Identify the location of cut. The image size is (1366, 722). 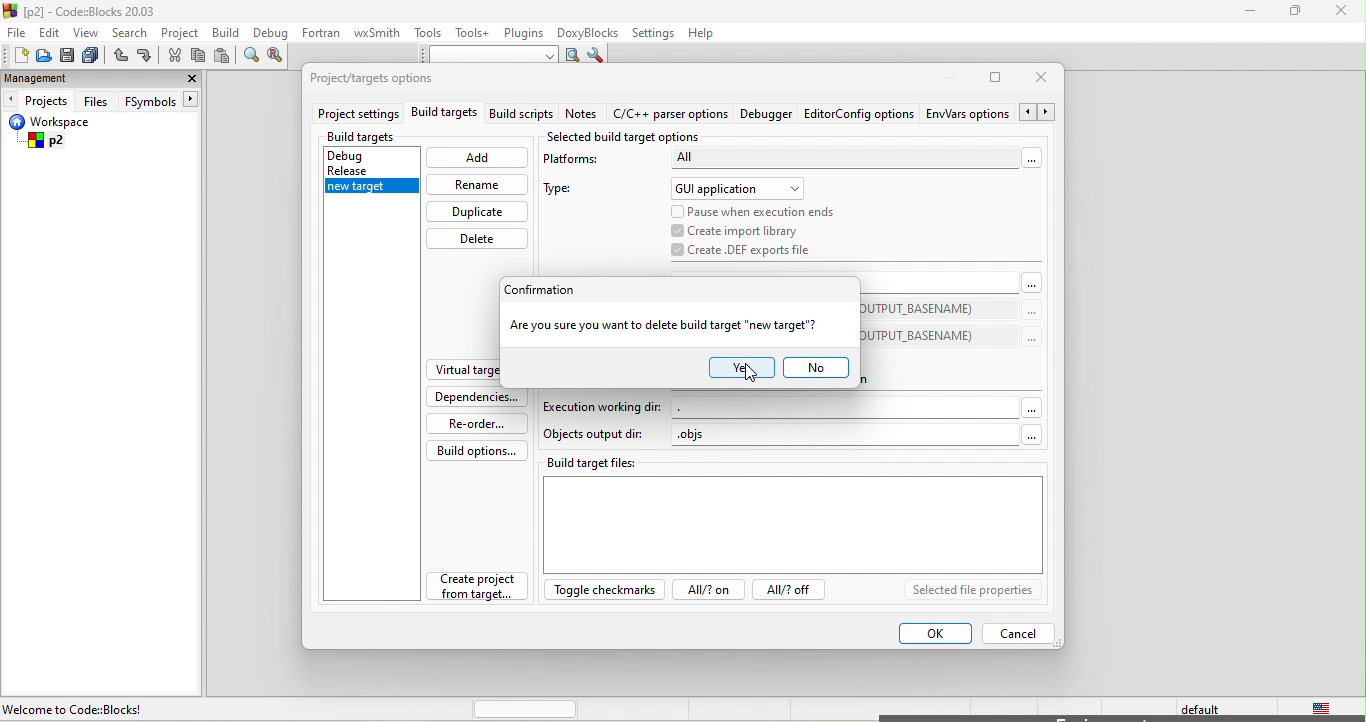
(175, 58).